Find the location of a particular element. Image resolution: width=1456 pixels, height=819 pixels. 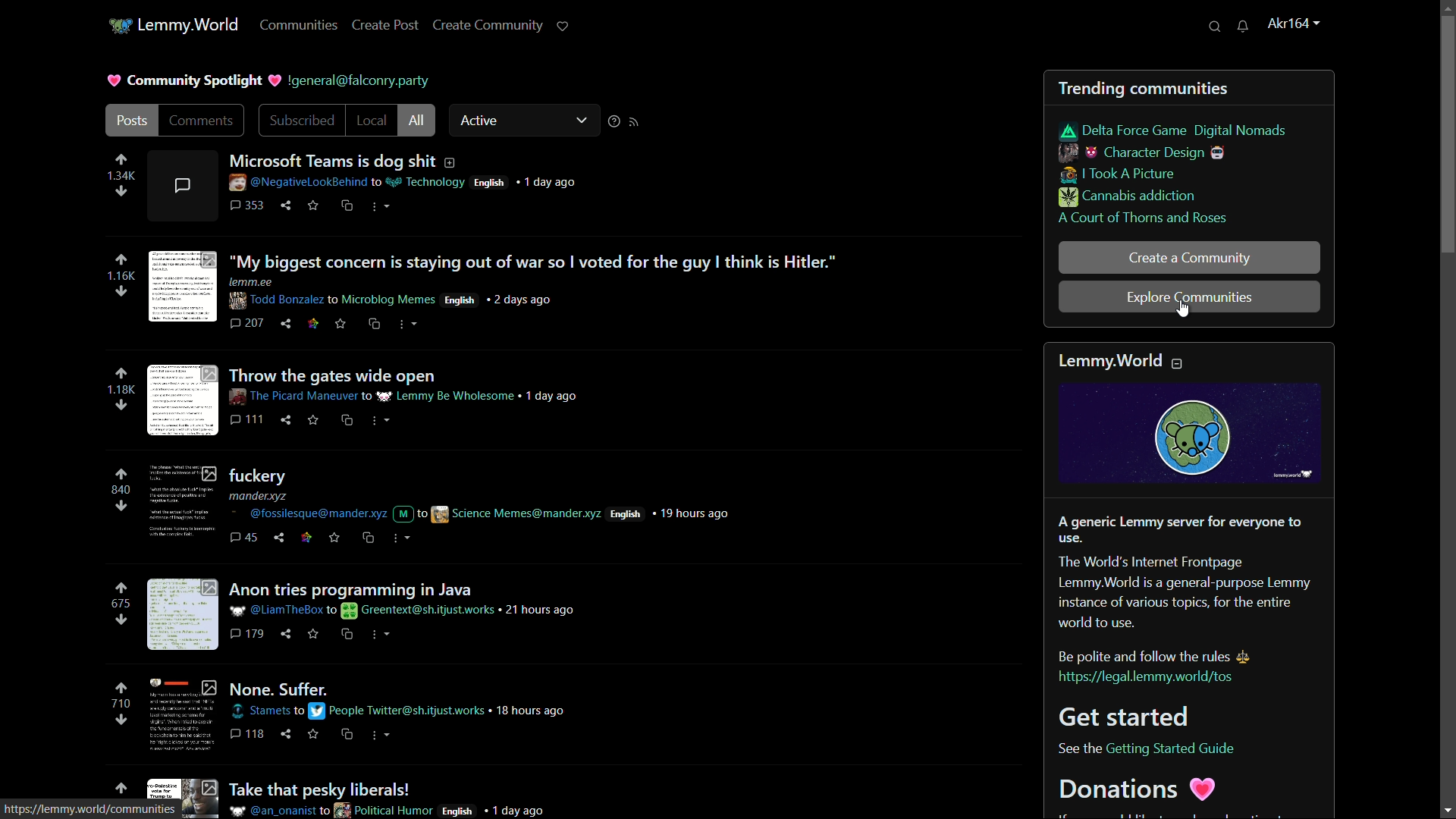

downvote is located at coordinates (122, 505).